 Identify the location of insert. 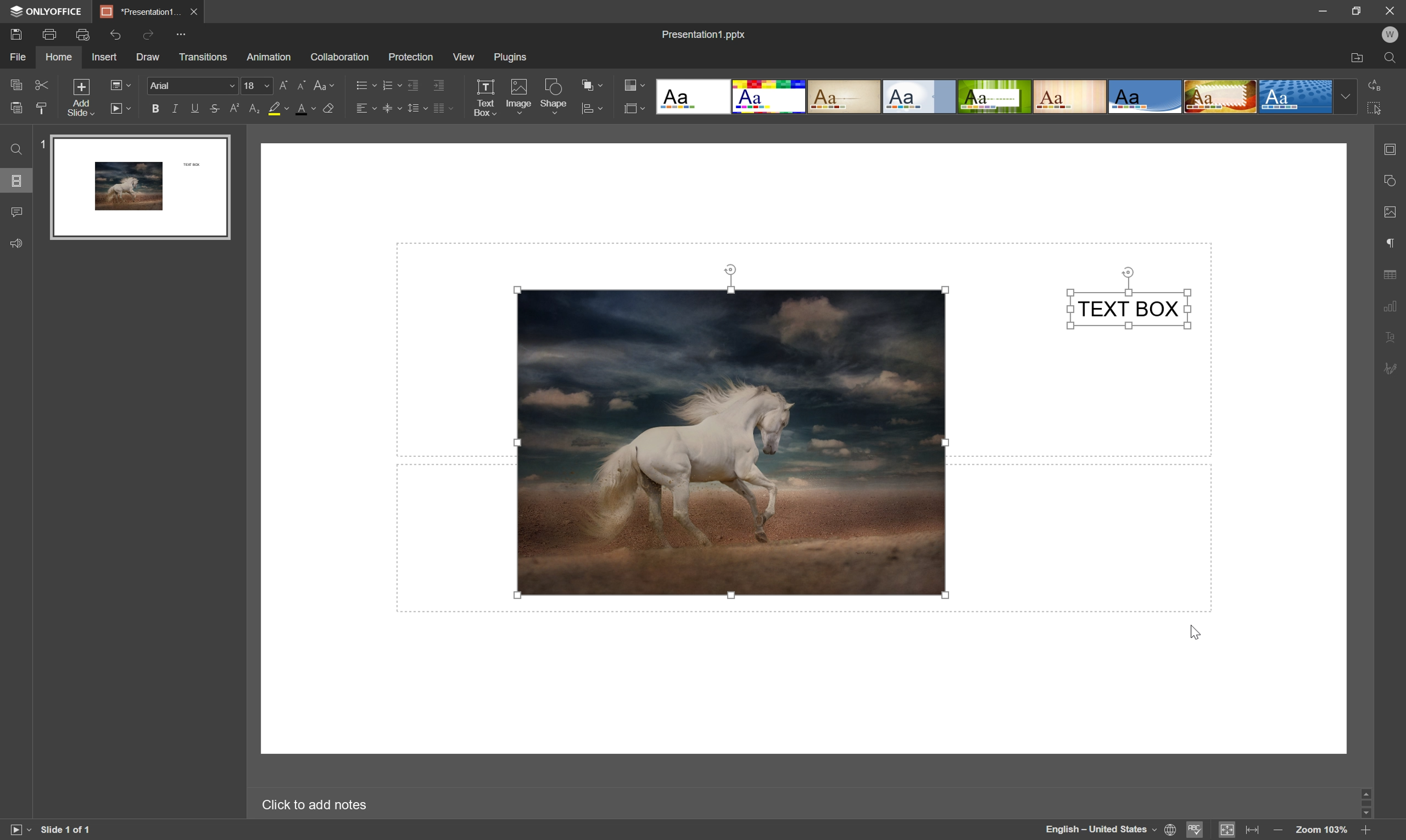
(106, 58).